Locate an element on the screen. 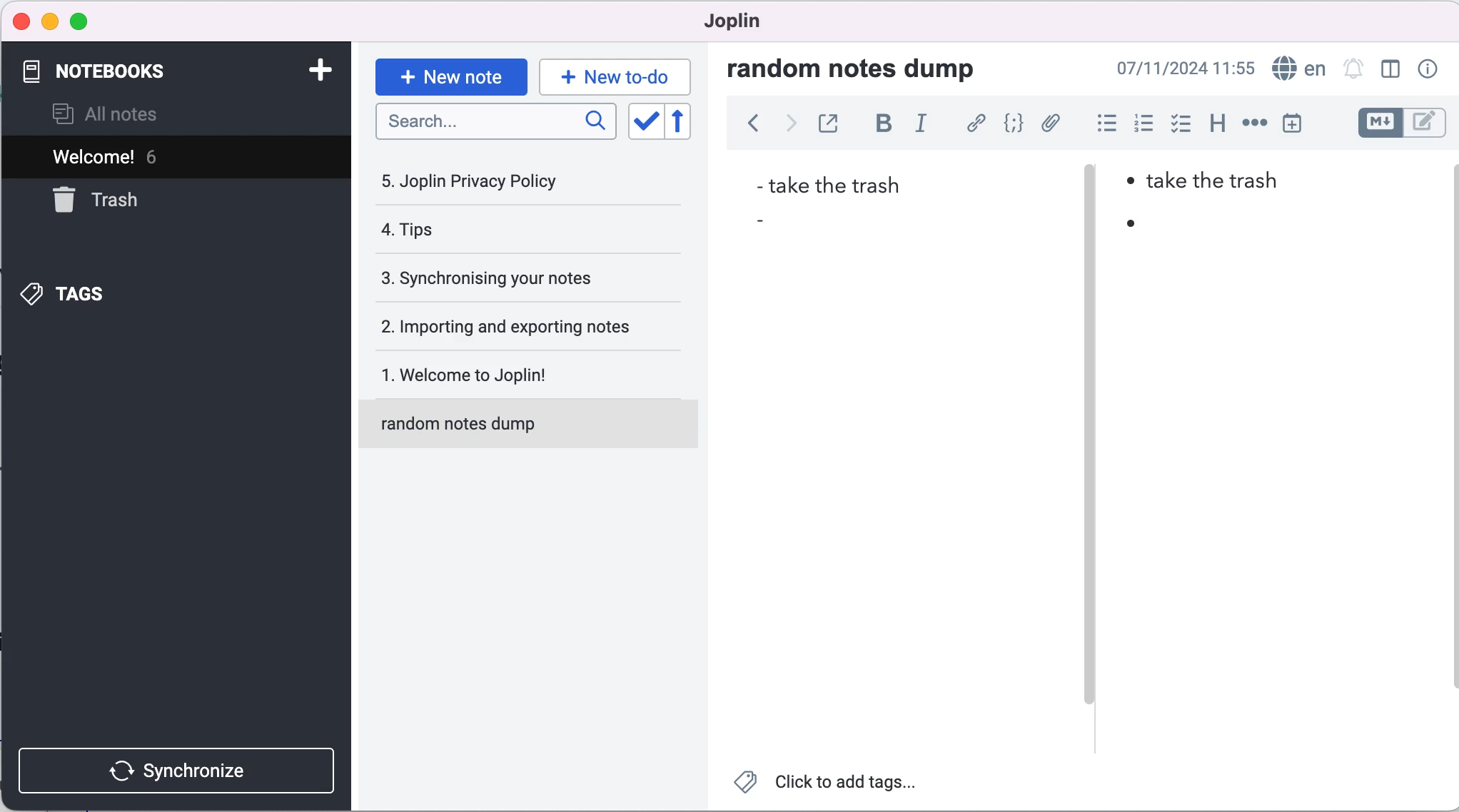 This screenshot has width=1459, height=812. random notes dump is located at coordinates (535, 430).